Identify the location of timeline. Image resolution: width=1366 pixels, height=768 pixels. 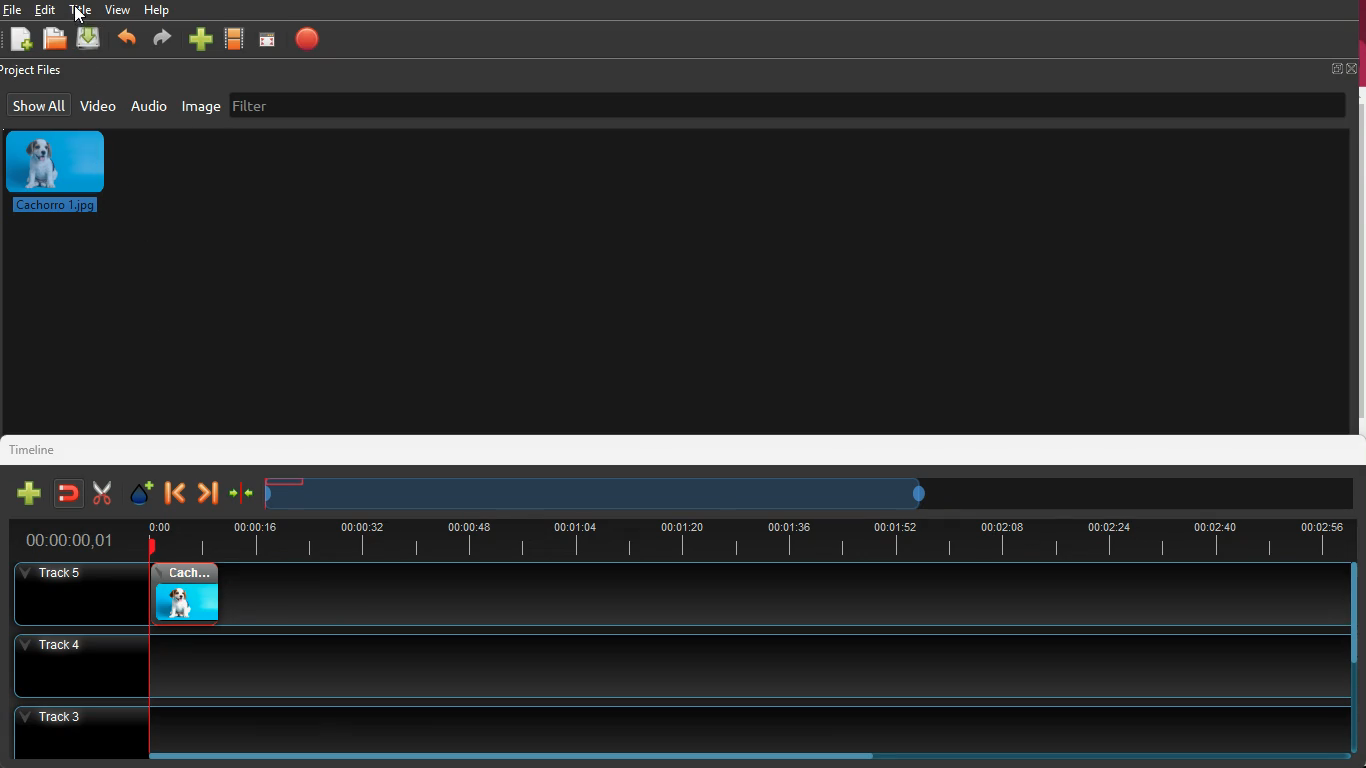
(602, 493).